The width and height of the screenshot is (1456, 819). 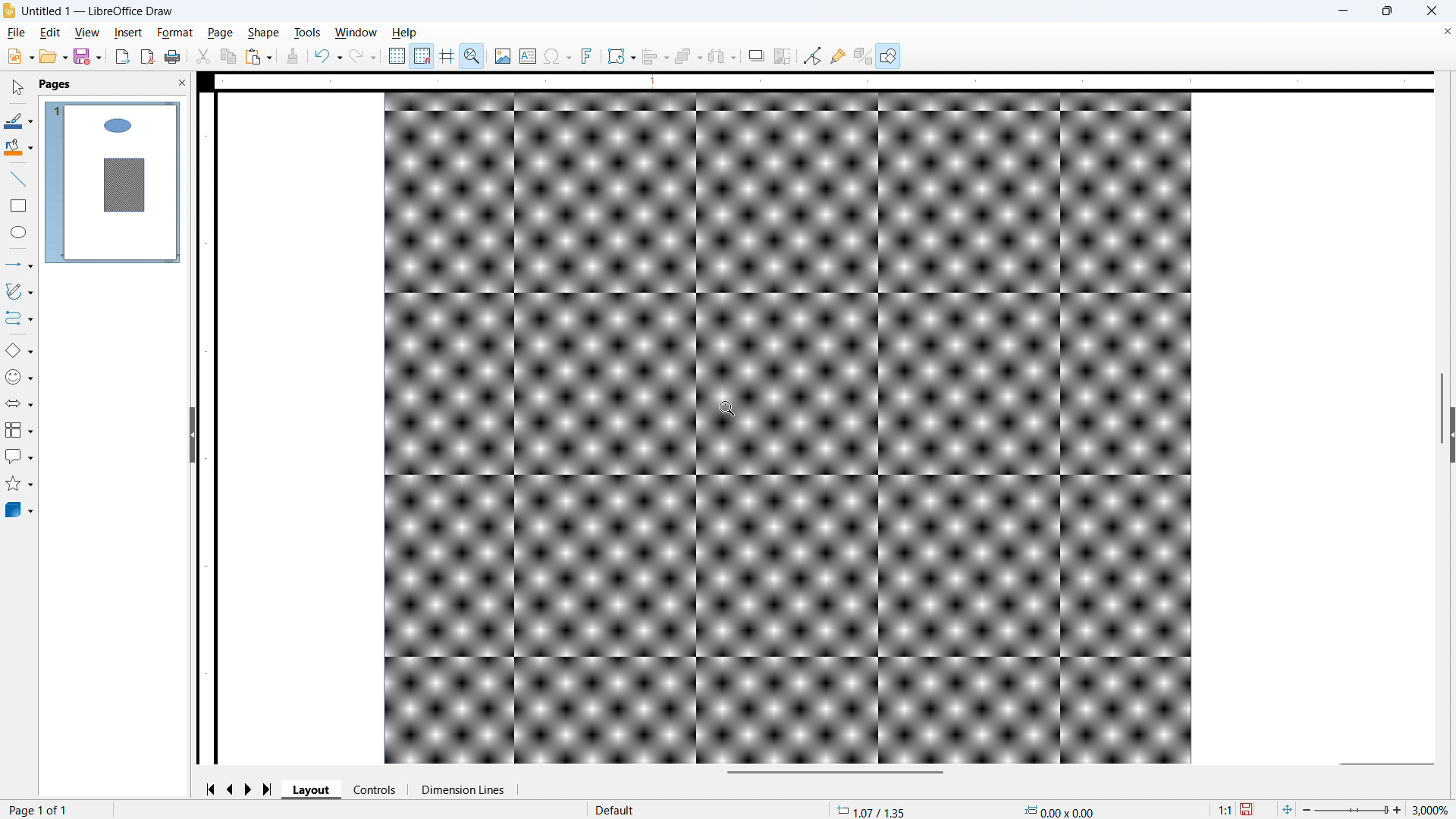 What do you see at coordinates (98, 11) in the screenshot?
I see `Document title ` at bounding box center [98, 11].